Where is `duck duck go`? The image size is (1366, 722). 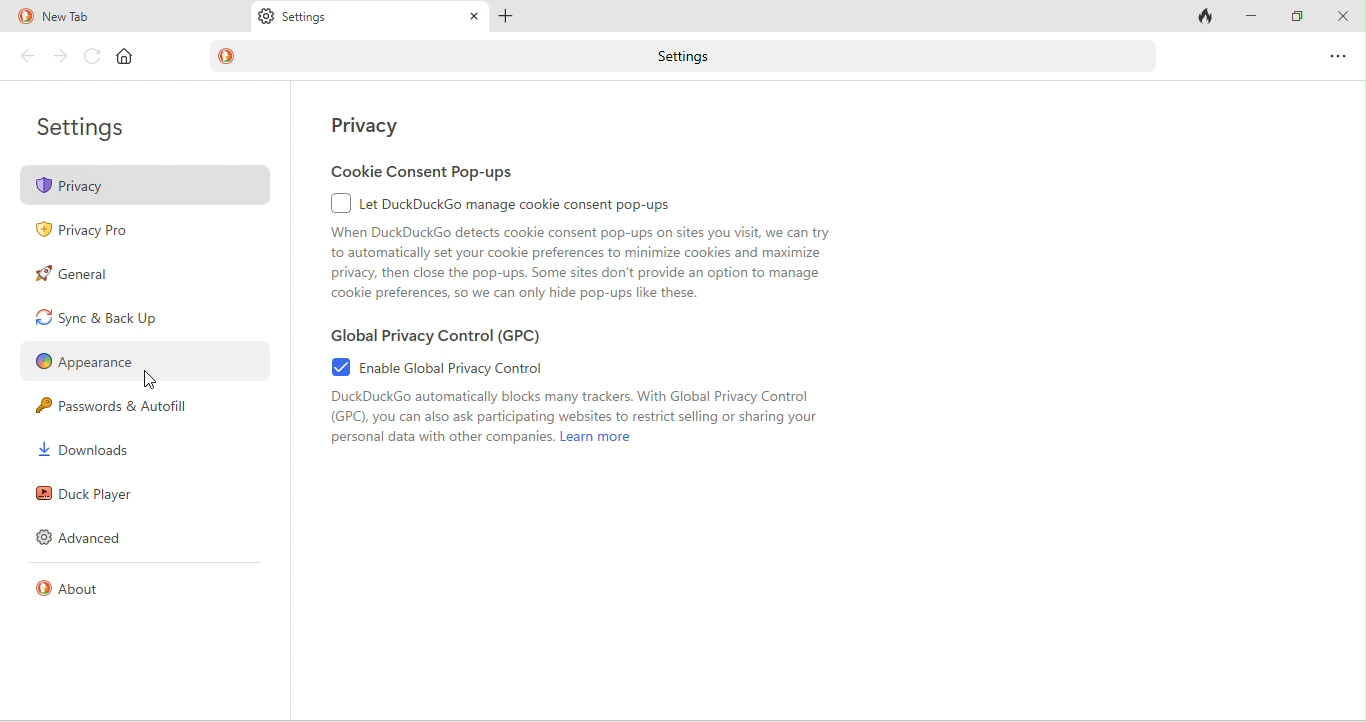
duck duck go is located at coordinates (24, 17).